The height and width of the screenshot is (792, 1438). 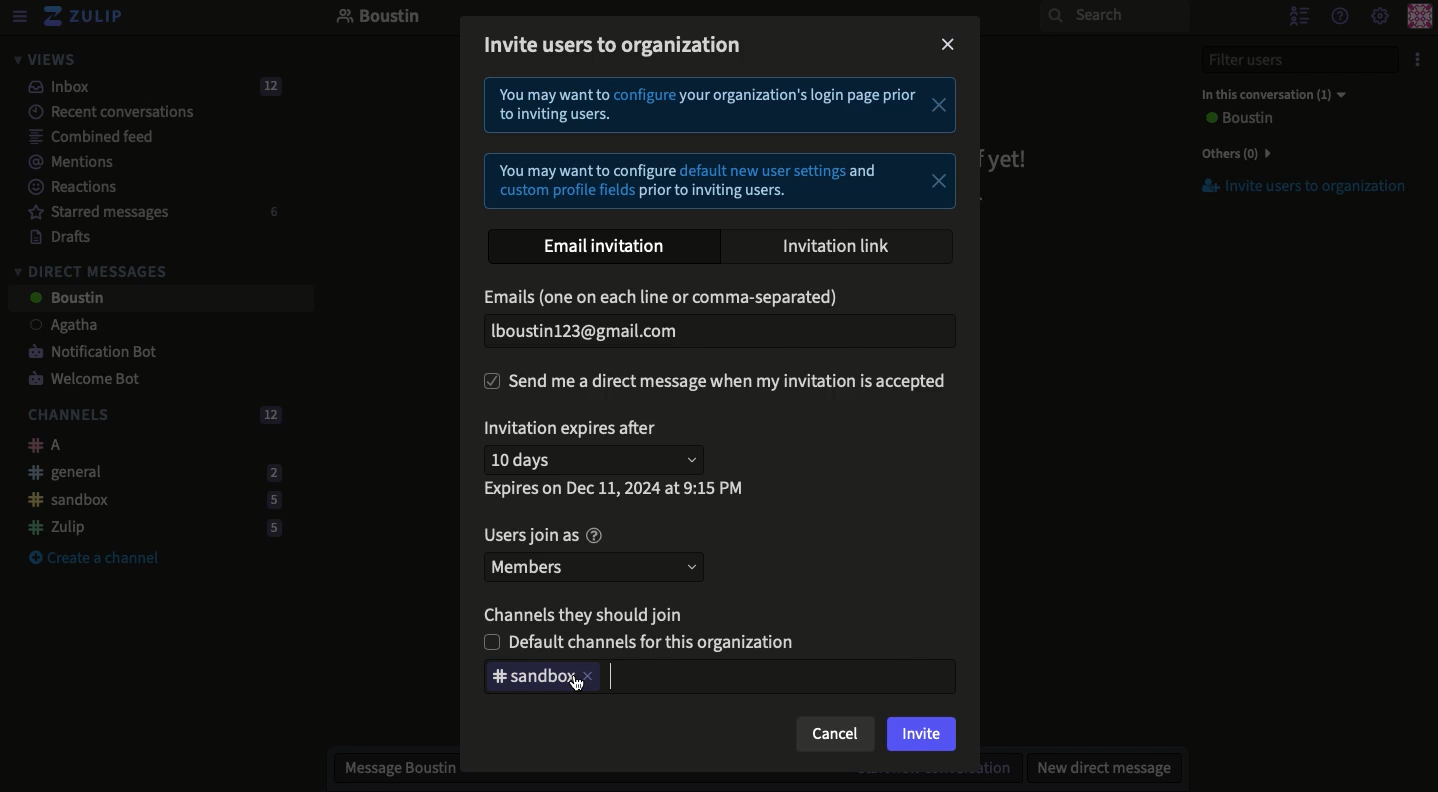 What do you see at coordinates (714, 332) in the screenshot?
I see `Email added` at bounding box center [714, 332].